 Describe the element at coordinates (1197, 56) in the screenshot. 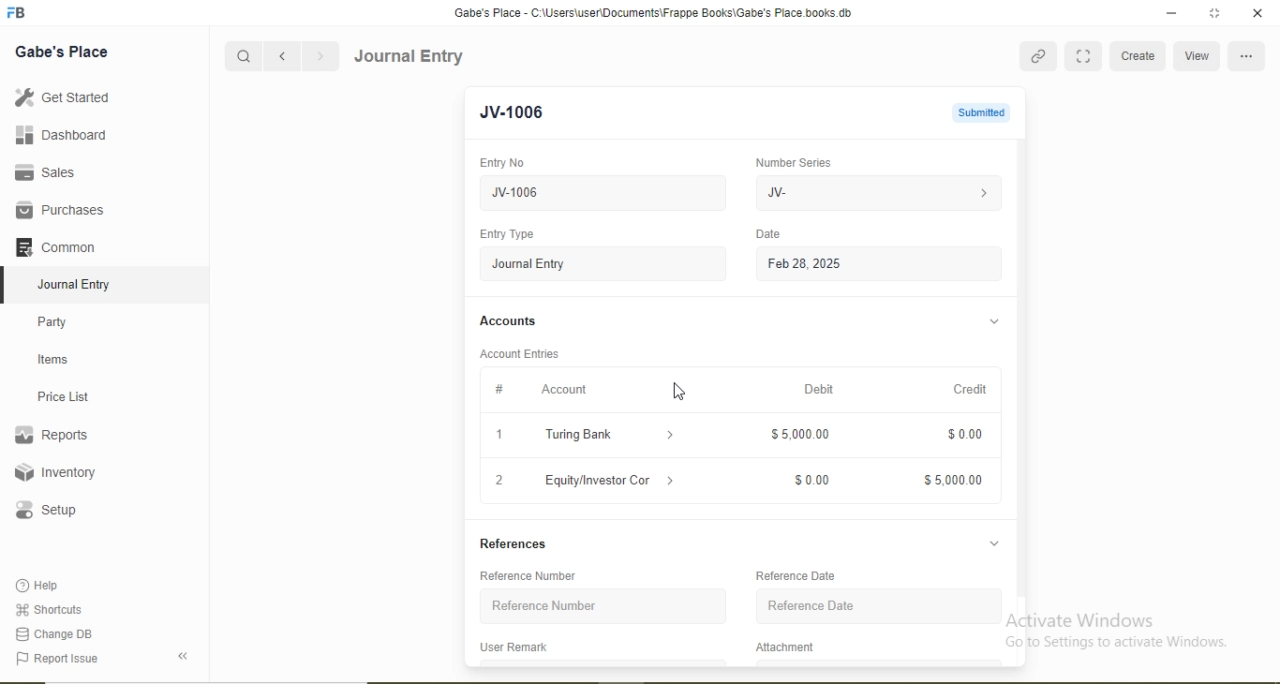

I see `View` at that location.